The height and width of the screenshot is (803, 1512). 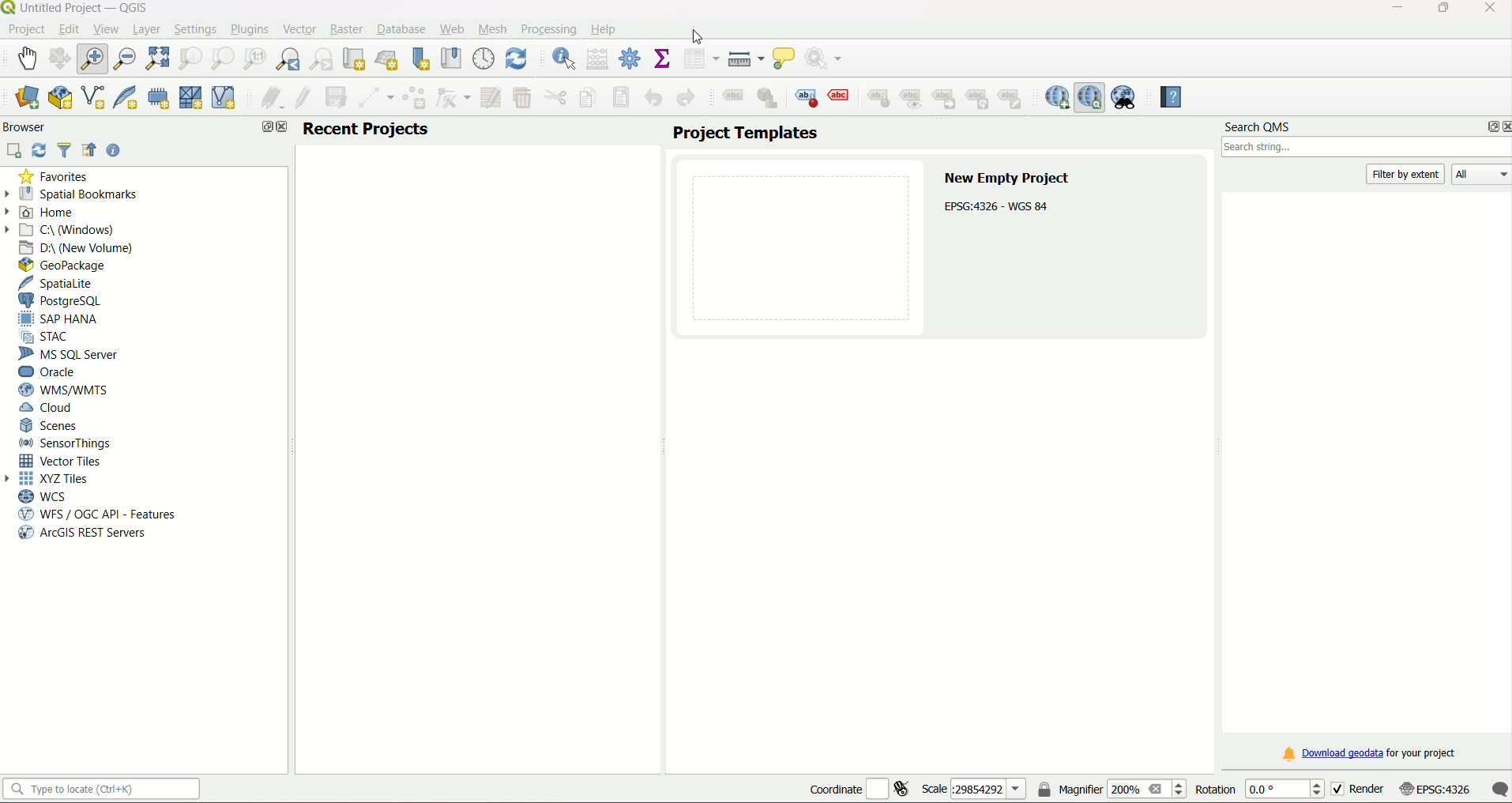 What do you see at coordinates (65, 461) in the screenshot?
I see `Vector Tiles` at bounding box center [65, 461].